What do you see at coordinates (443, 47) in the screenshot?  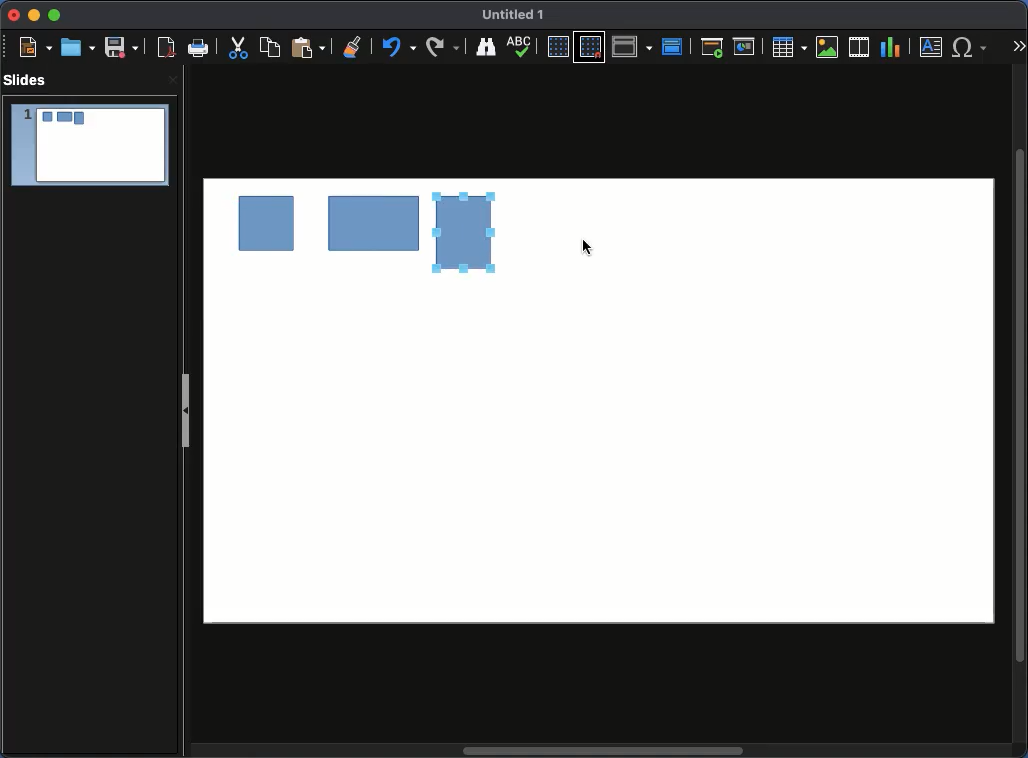 I see `Finding` at bounding box center [443, 47].